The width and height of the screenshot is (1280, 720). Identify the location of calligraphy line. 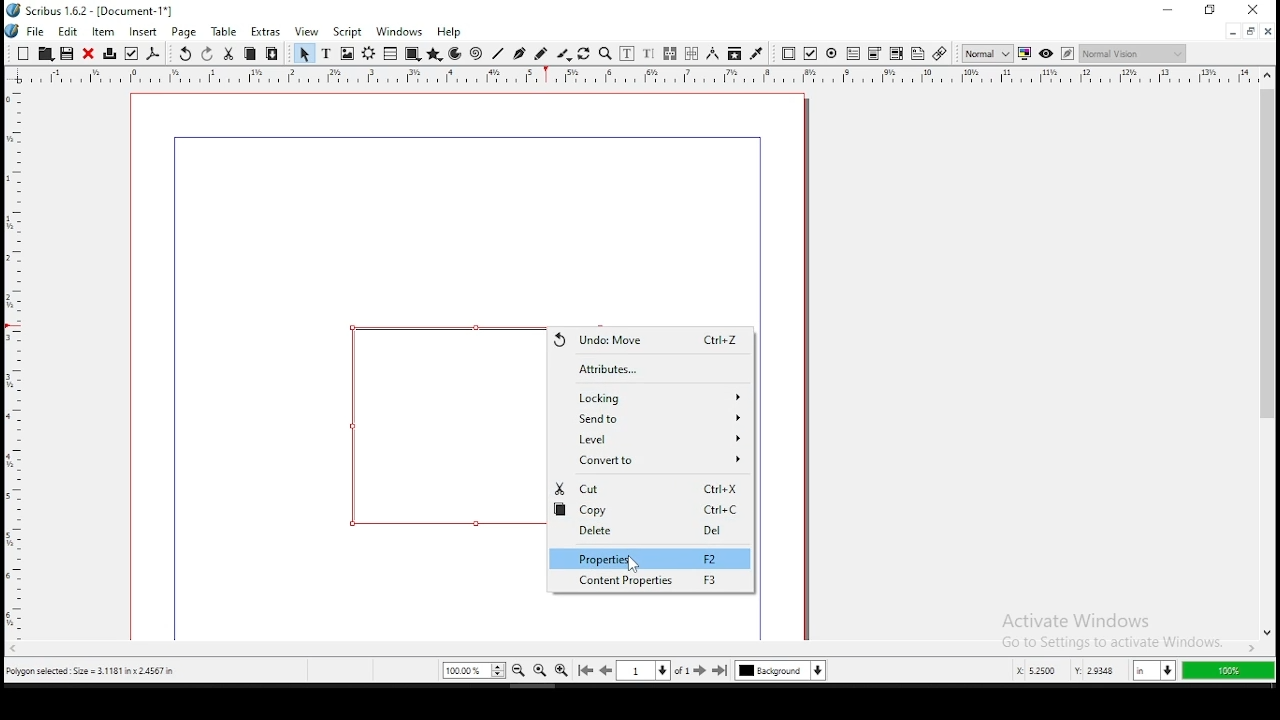
(564, 54).